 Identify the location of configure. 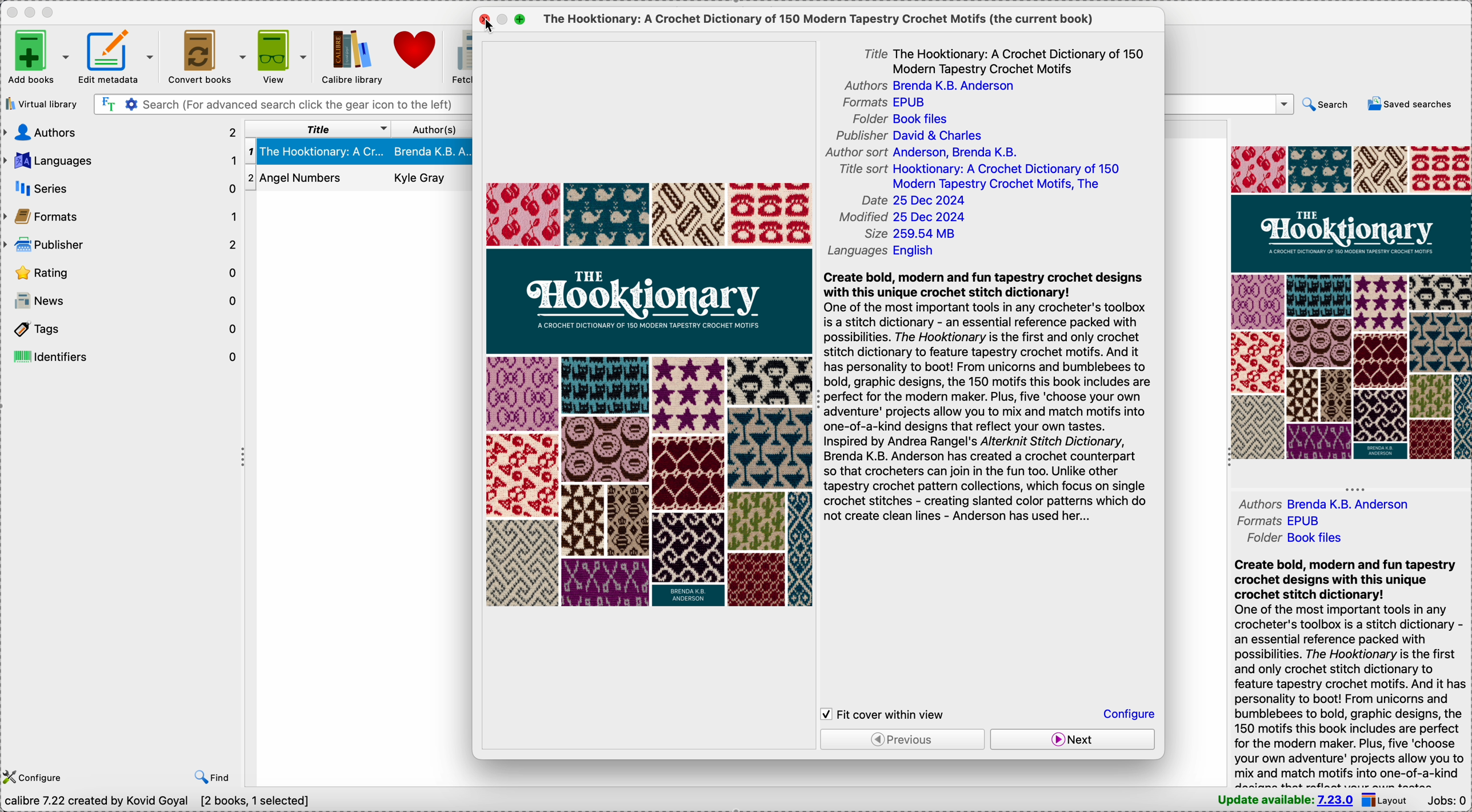
(1128, 713).